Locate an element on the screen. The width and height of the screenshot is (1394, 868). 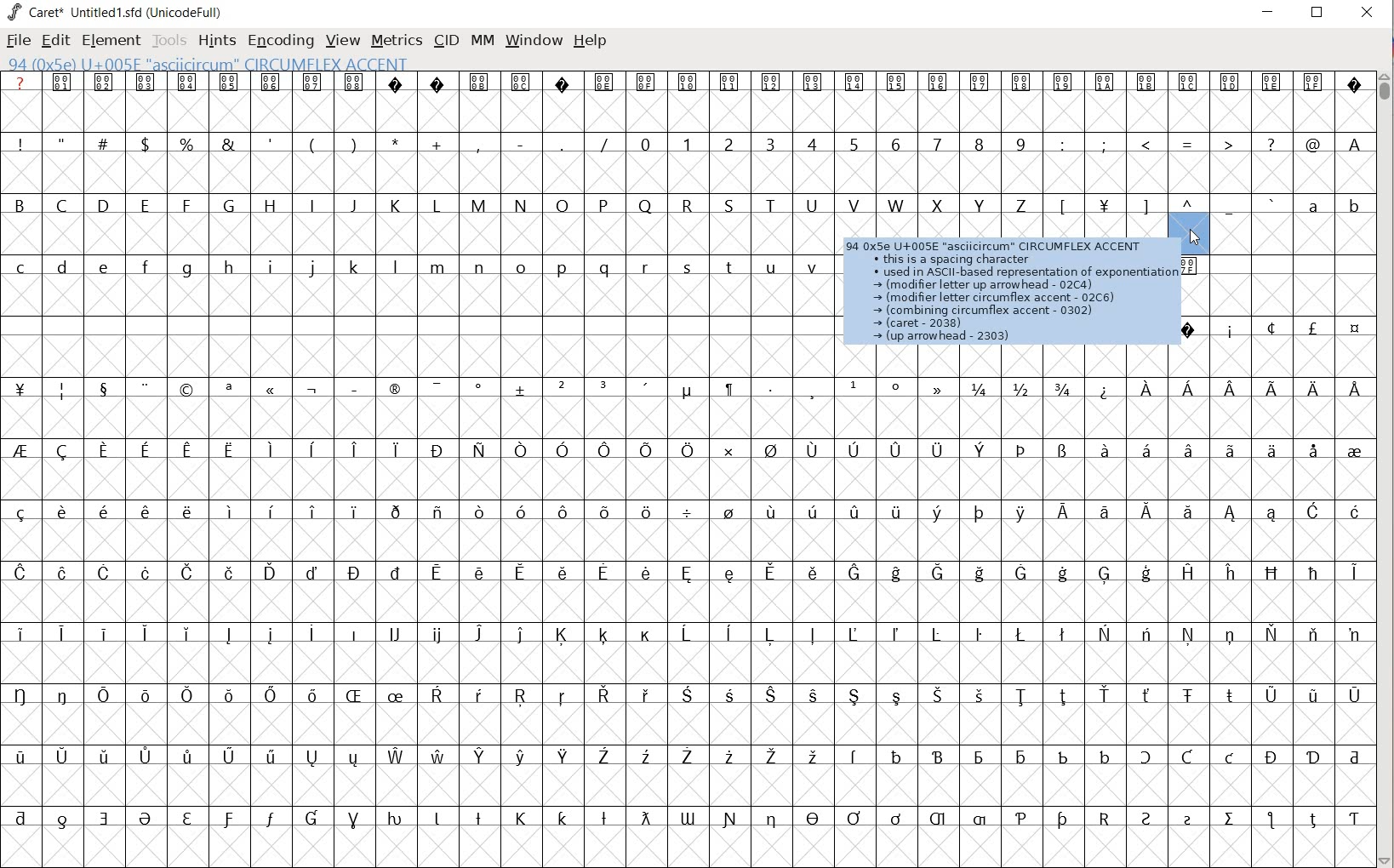
SCROLLBAR is located at coordinates (1385, 467).